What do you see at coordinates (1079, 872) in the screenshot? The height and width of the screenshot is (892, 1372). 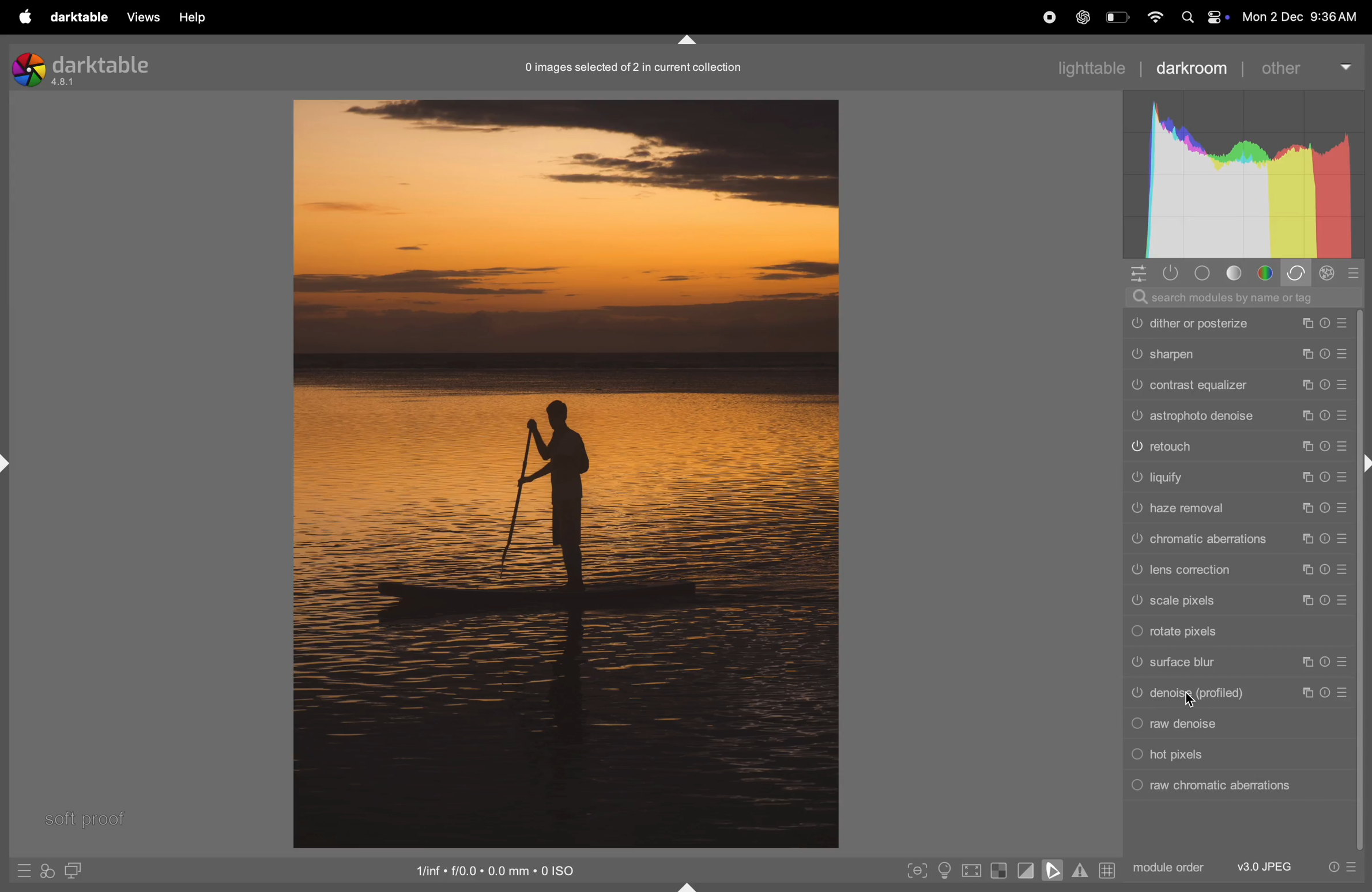 I see `toggle gamut checking` at bounding box center [1079, 872].